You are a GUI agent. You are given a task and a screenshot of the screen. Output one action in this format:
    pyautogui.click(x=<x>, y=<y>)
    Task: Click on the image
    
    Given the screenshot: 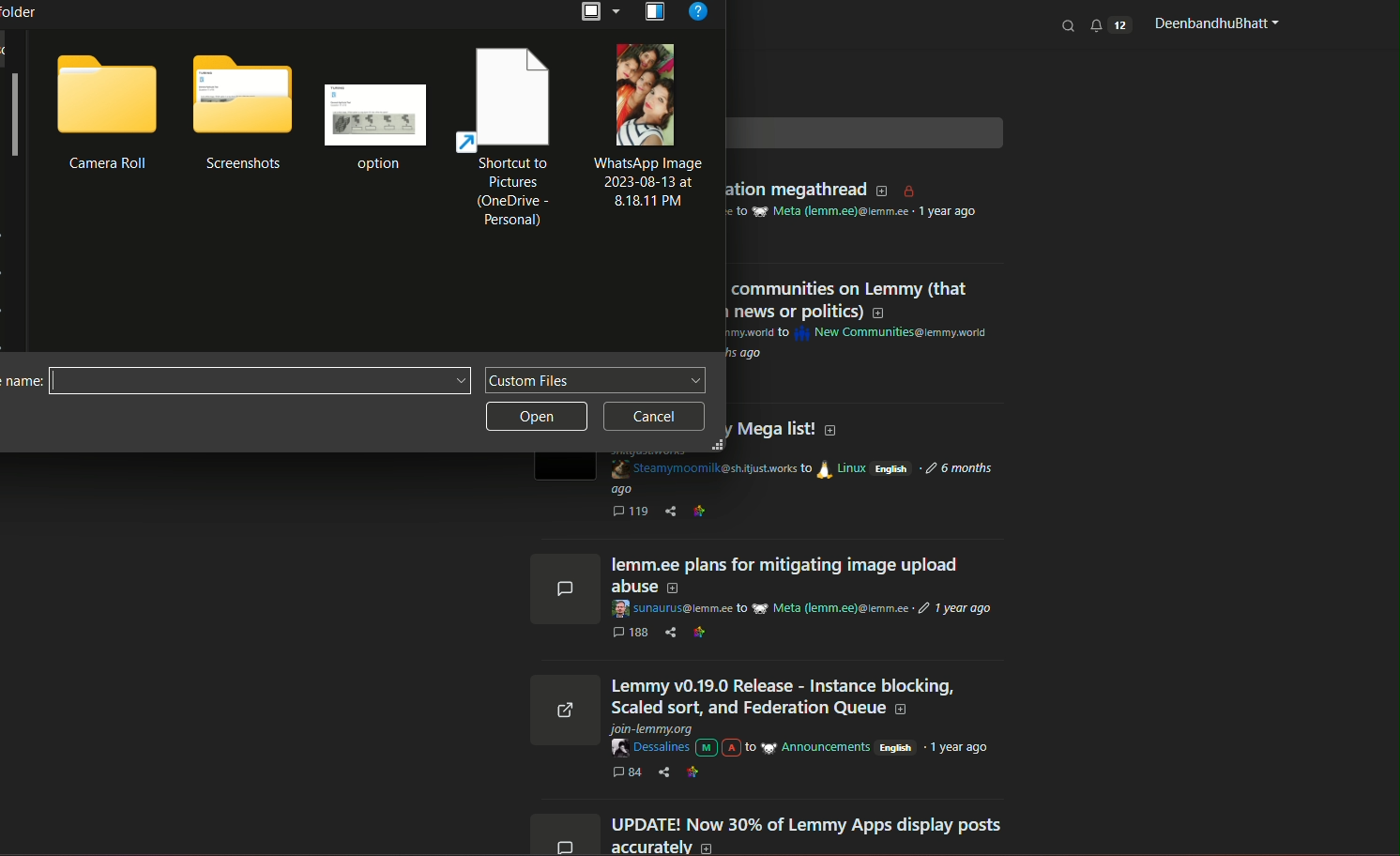 What is the action you would take?
    pyautogui.click(x=645, y=95)
    